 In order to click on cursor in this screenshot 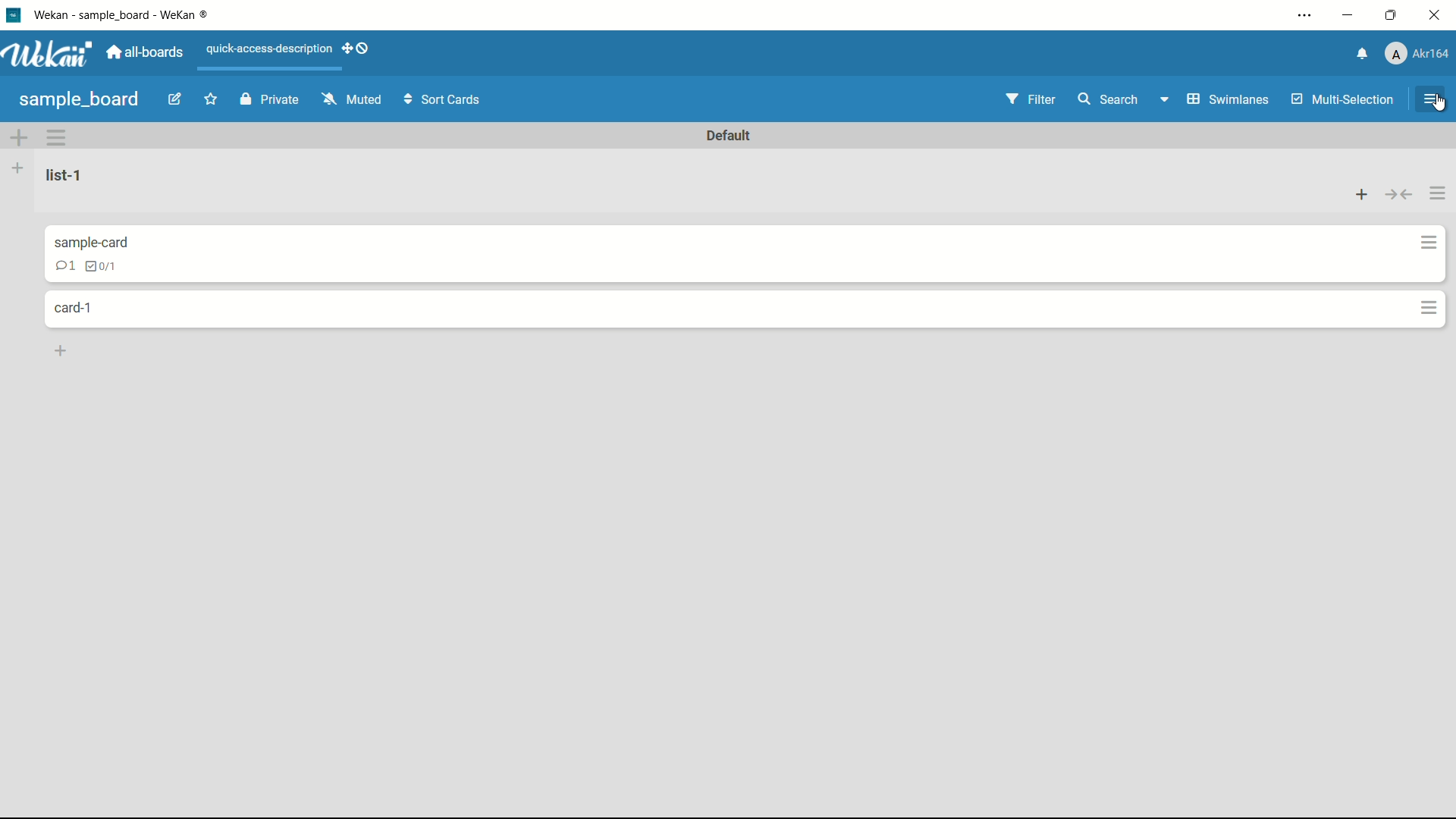, I will do `click(1441, 108)`.